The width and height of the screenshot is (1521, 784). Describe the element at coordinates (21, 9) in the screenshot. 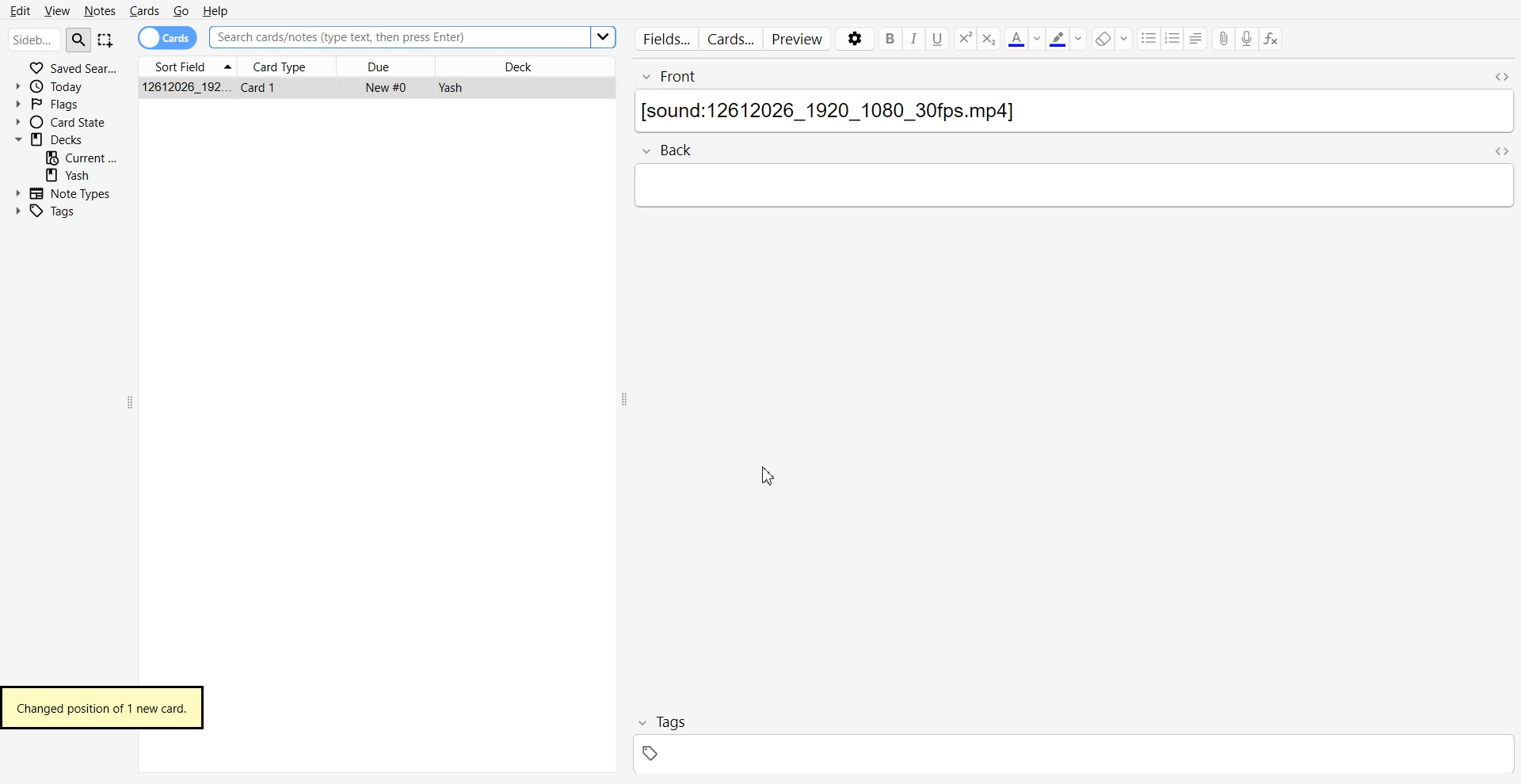

I see `Edit` at that location.